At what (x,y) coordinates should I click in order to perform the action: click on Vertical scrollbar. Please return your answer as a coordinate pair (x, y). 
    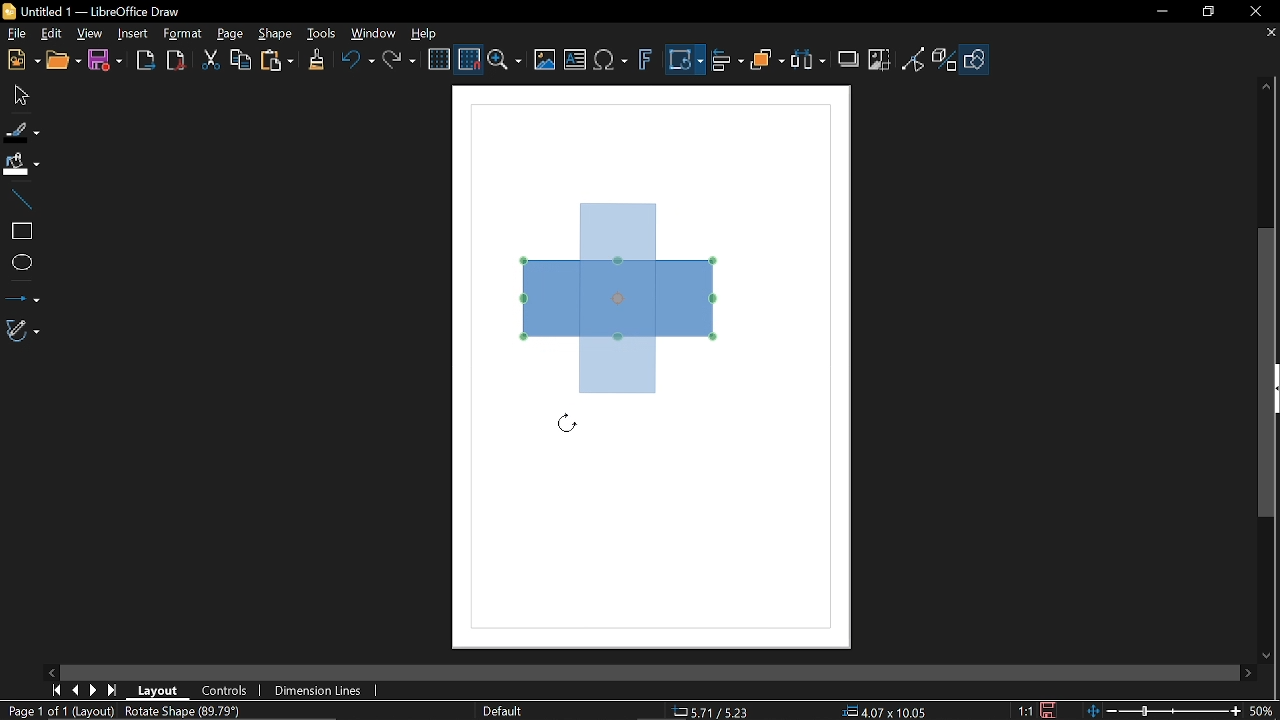
    Looking at the image, I should click on (1267, 372).